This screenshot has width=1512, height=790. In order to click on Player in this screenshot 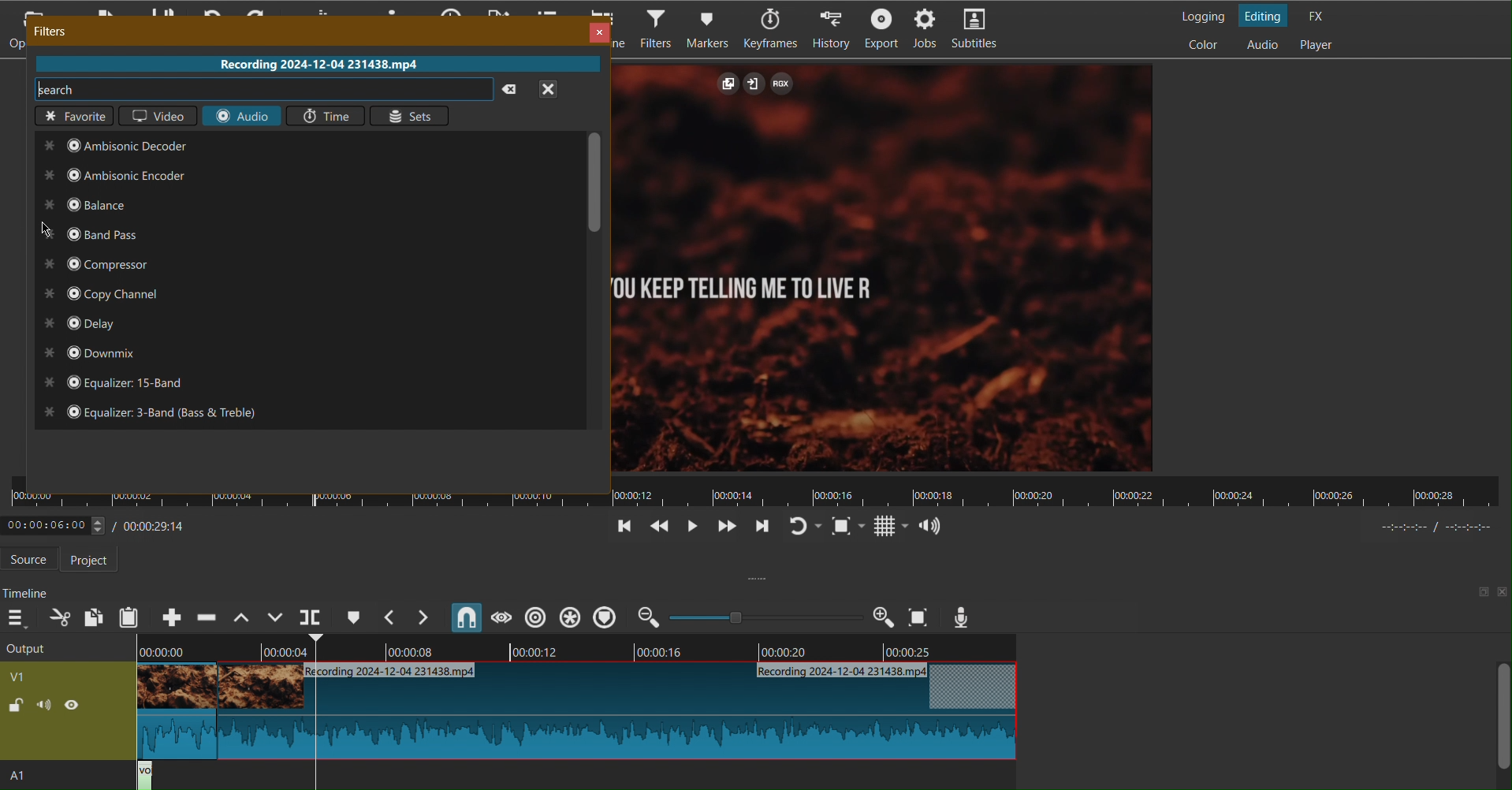, I will do `click(1319, 46)`.